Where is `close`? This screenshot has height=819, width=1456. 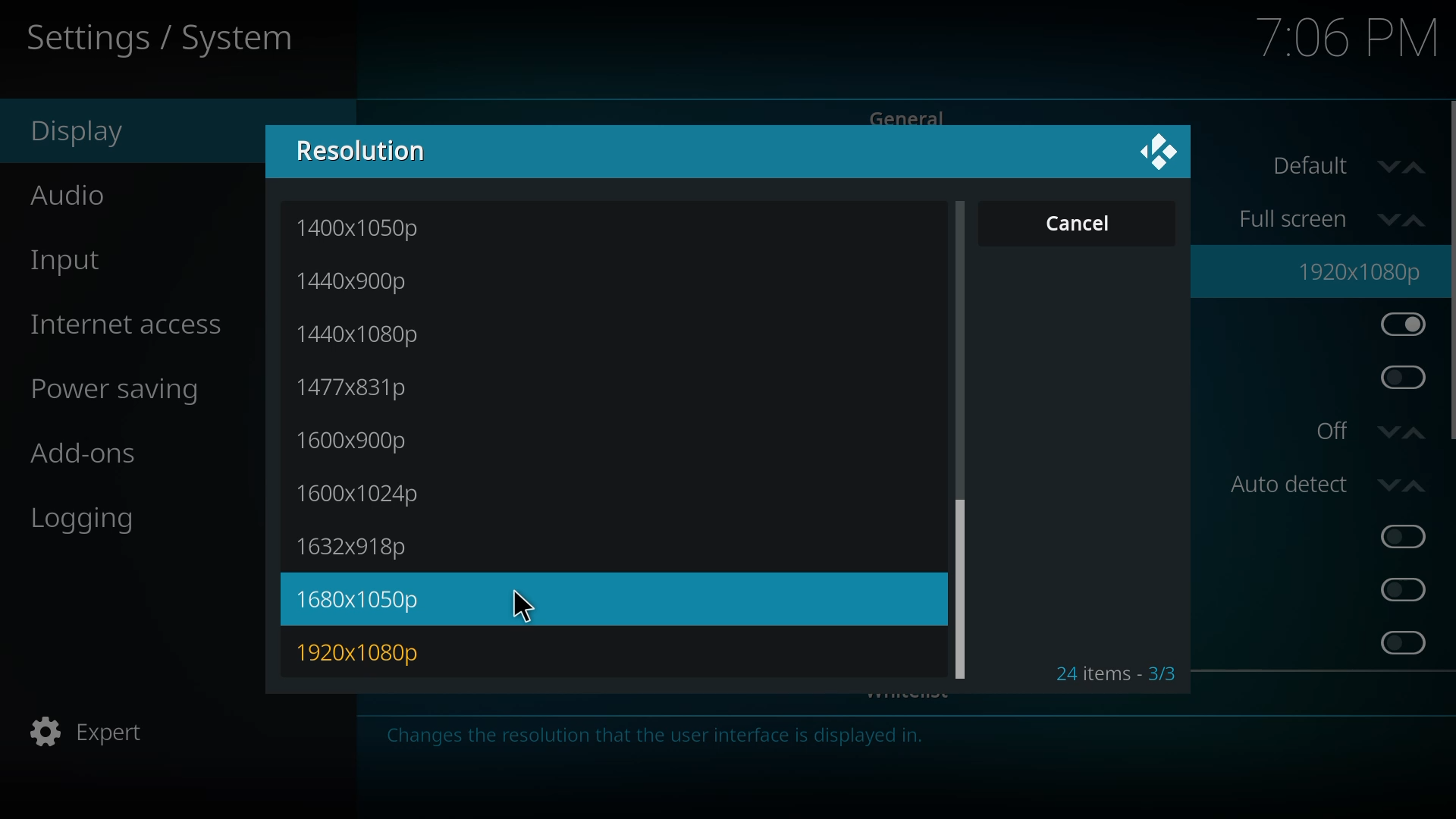
close is located at coordinates (1159, 153).